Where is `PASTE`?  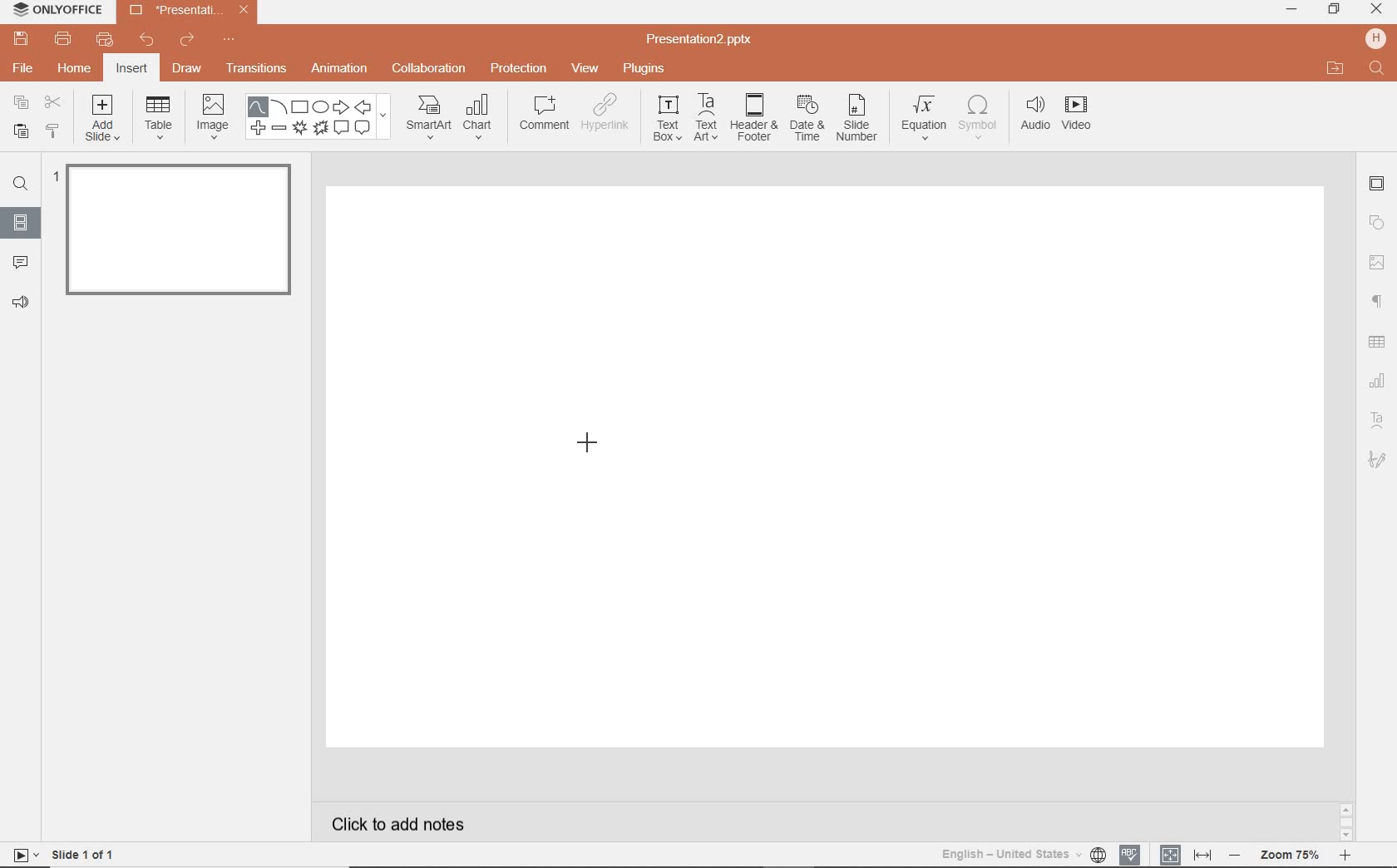 PASTE is located at coordinates (19, 131).